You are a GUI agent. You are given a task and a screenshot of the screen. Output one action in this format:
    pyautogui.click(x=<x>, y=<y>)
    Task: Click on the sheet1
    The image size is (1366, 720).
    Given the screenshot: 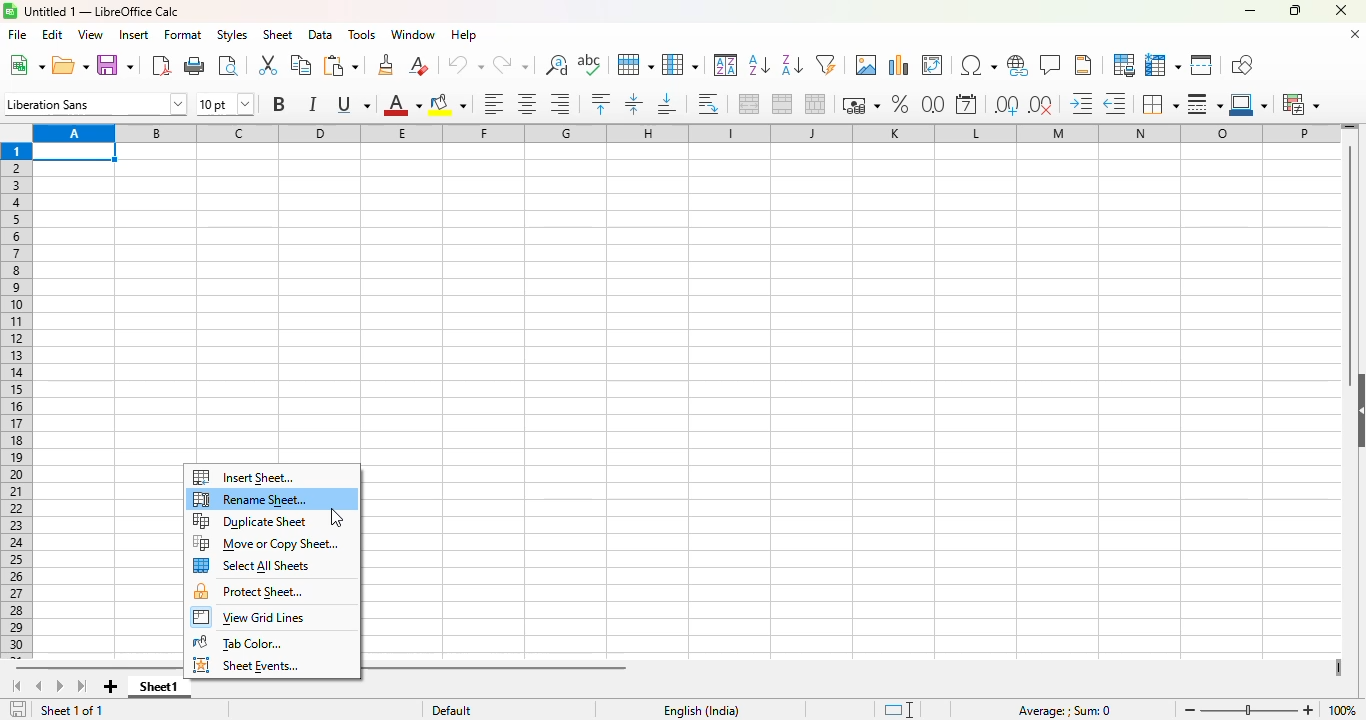 What is the action you would take?
    pyautogui.click(x=156, y=686)
    